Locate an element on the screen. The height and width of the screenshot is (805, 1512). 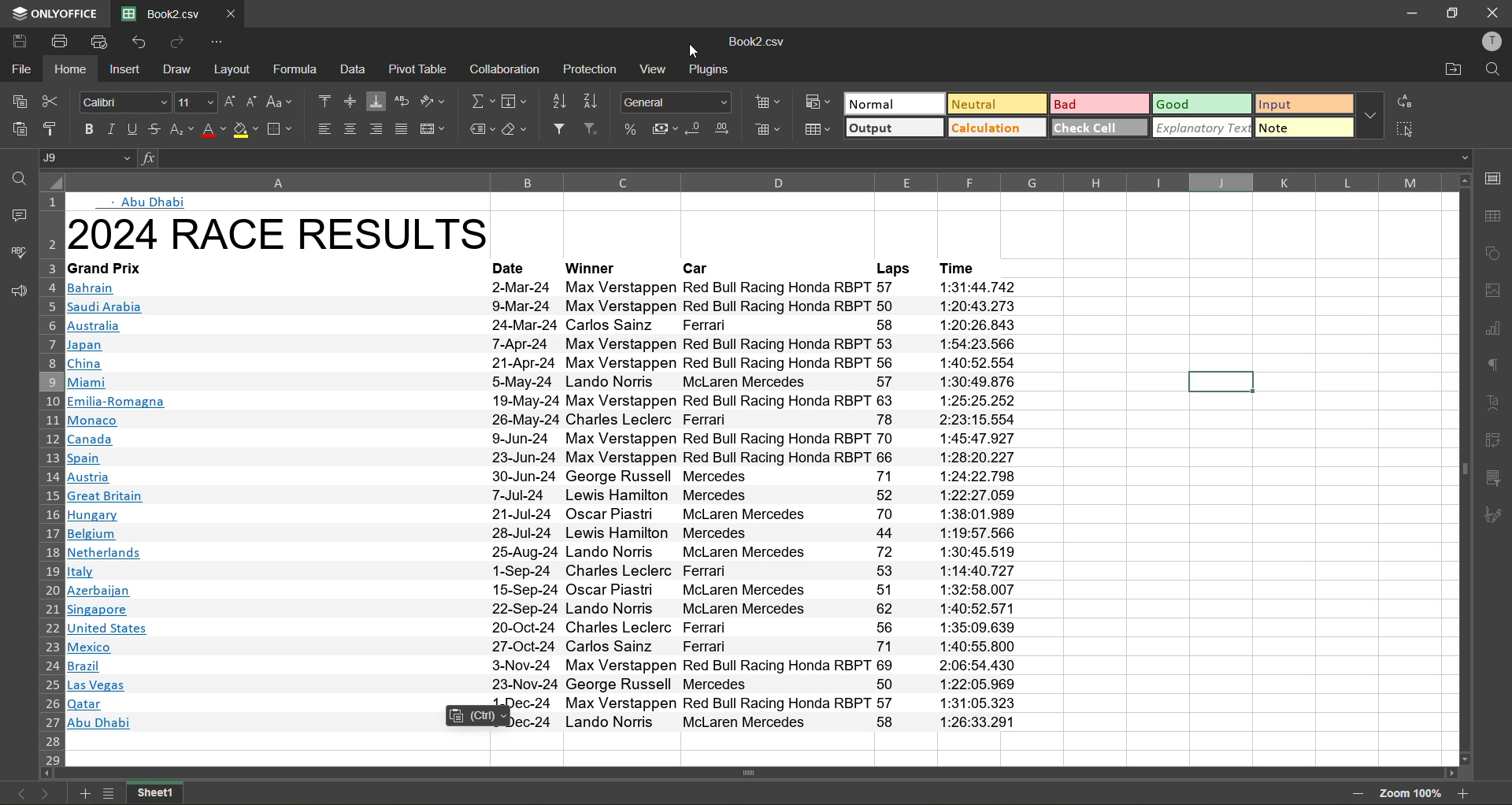
paste is located at coordinates (18, 129).